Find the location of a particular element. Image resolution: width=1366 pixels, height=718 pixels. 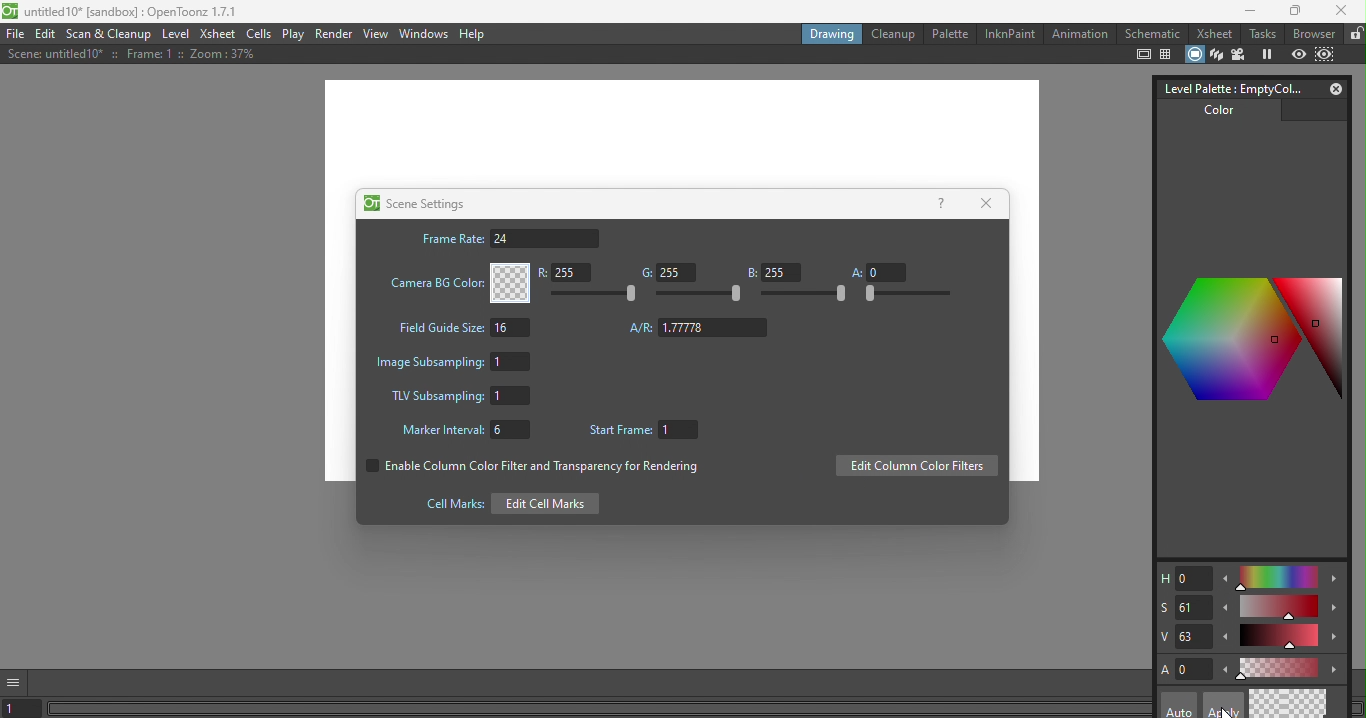

Lock rooms tab is located at coordinates (1354, 34).